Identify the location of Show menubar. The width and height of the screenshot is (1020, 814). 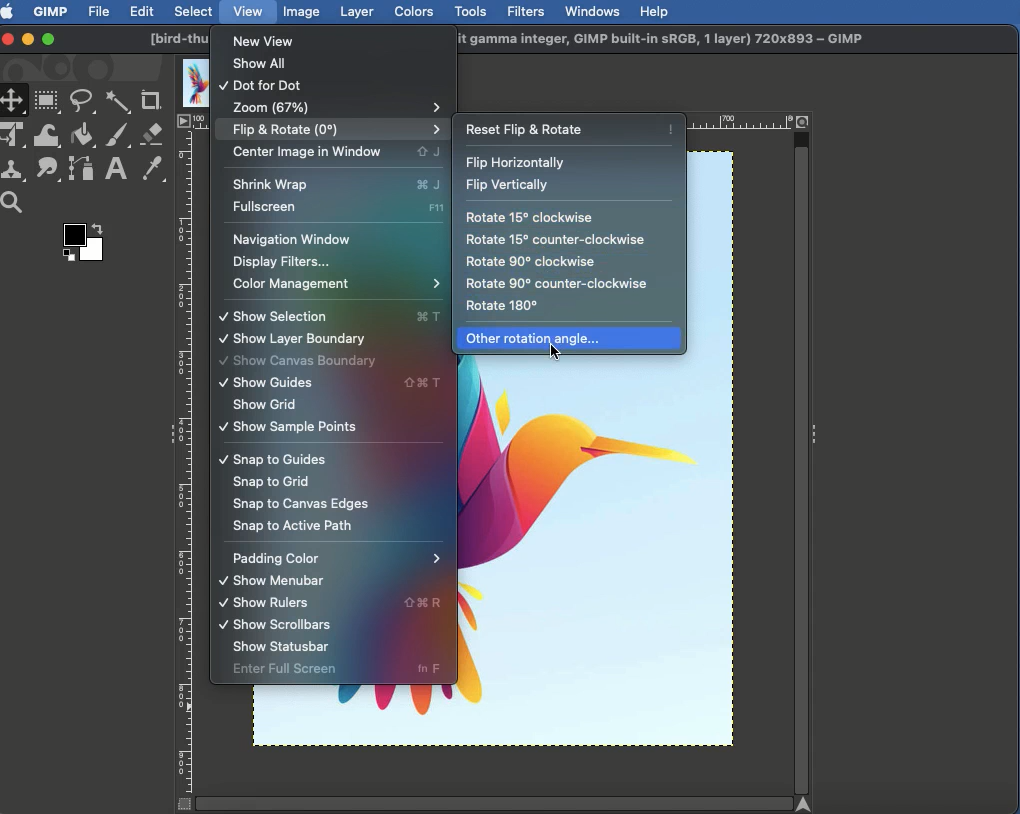
(271, 581).